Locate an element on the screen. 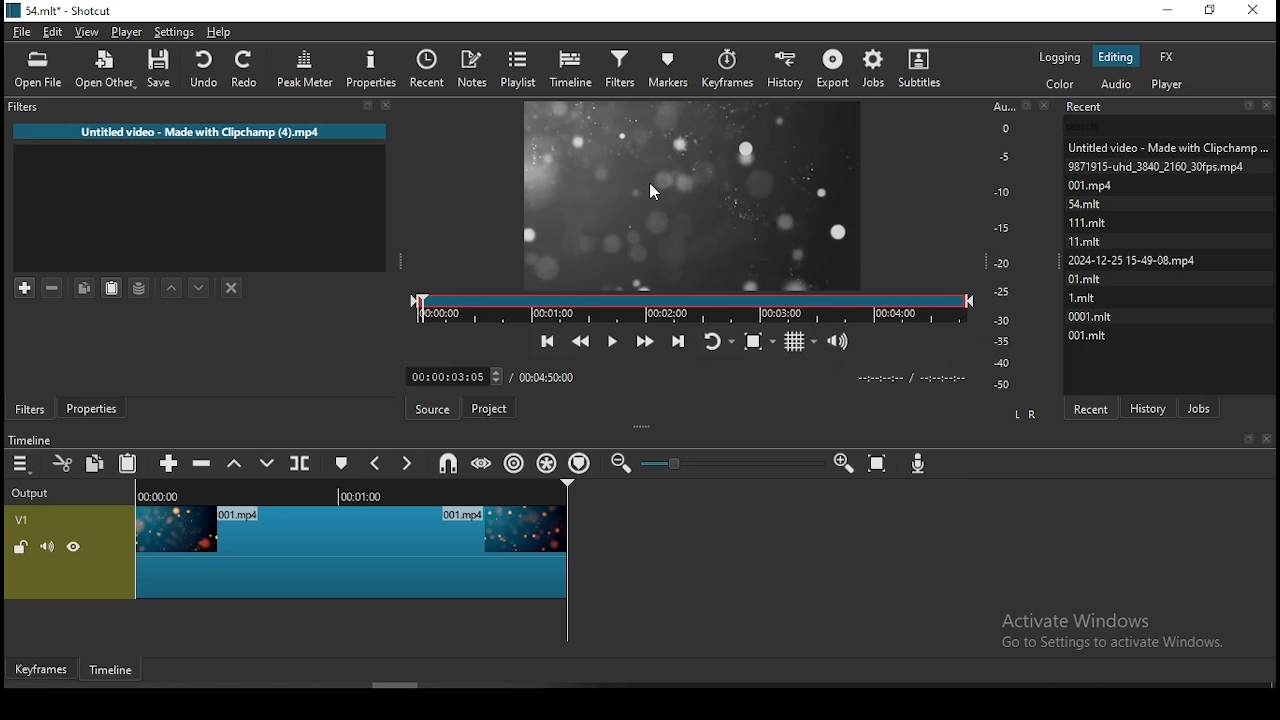 The height and width of the screenshot is (720, 1280). Recent is located at coordinates (1170, 107).